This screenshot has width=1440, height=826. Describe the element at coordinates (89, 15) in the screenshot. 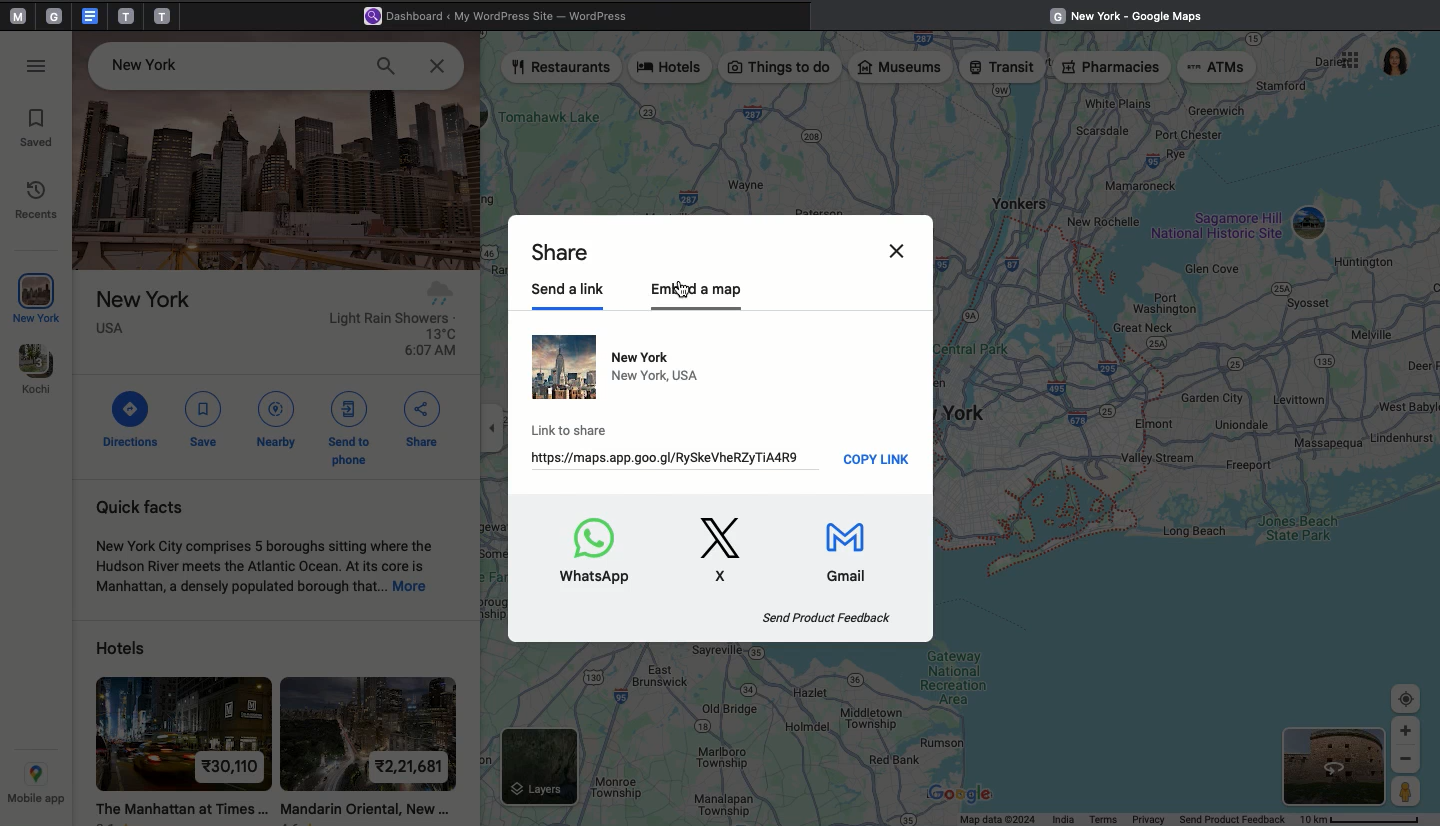

I see `google doc` at that location.